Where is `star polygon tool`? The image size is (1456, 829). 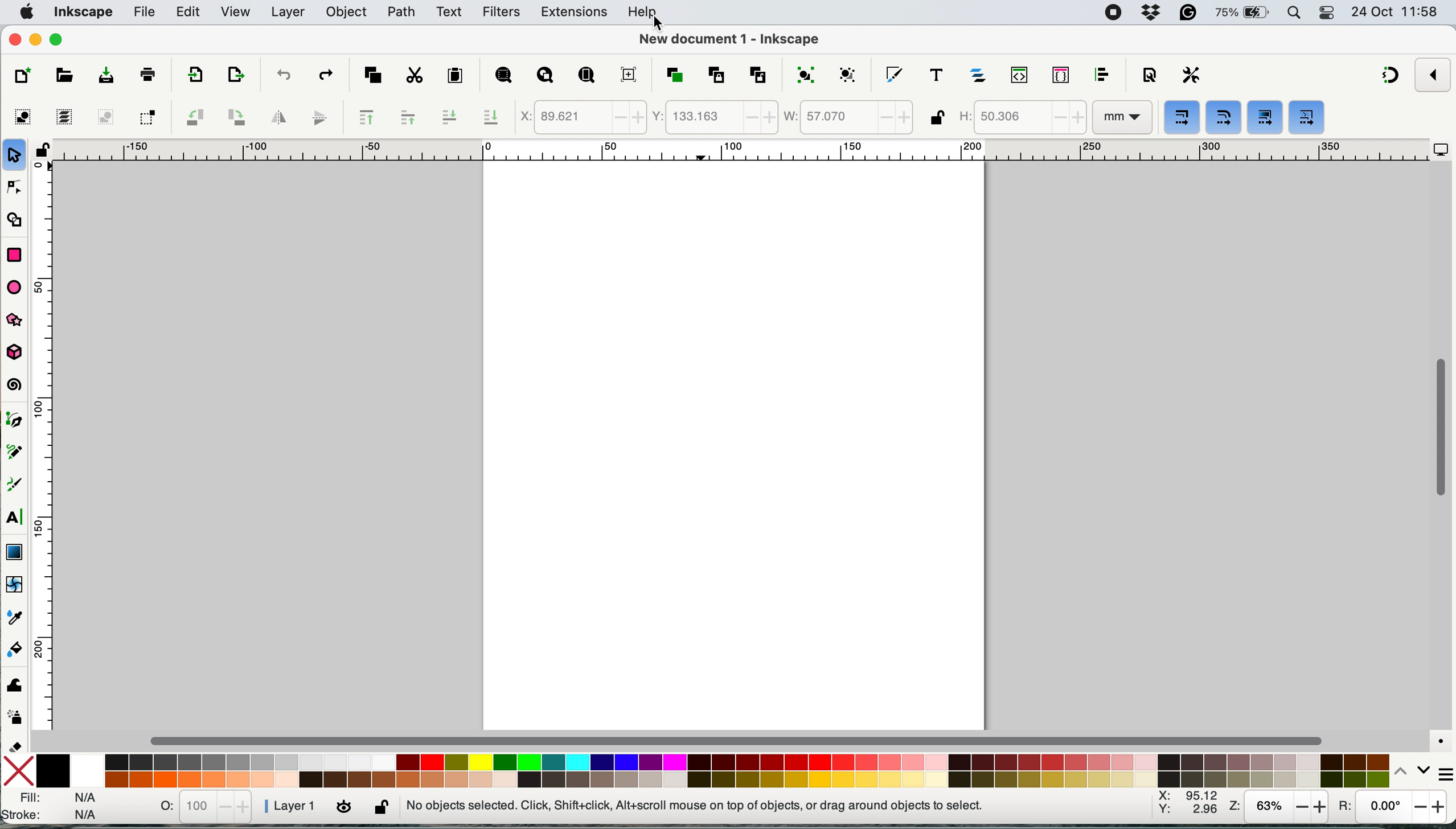
star polygon tool is located at coordinates (15, 321).